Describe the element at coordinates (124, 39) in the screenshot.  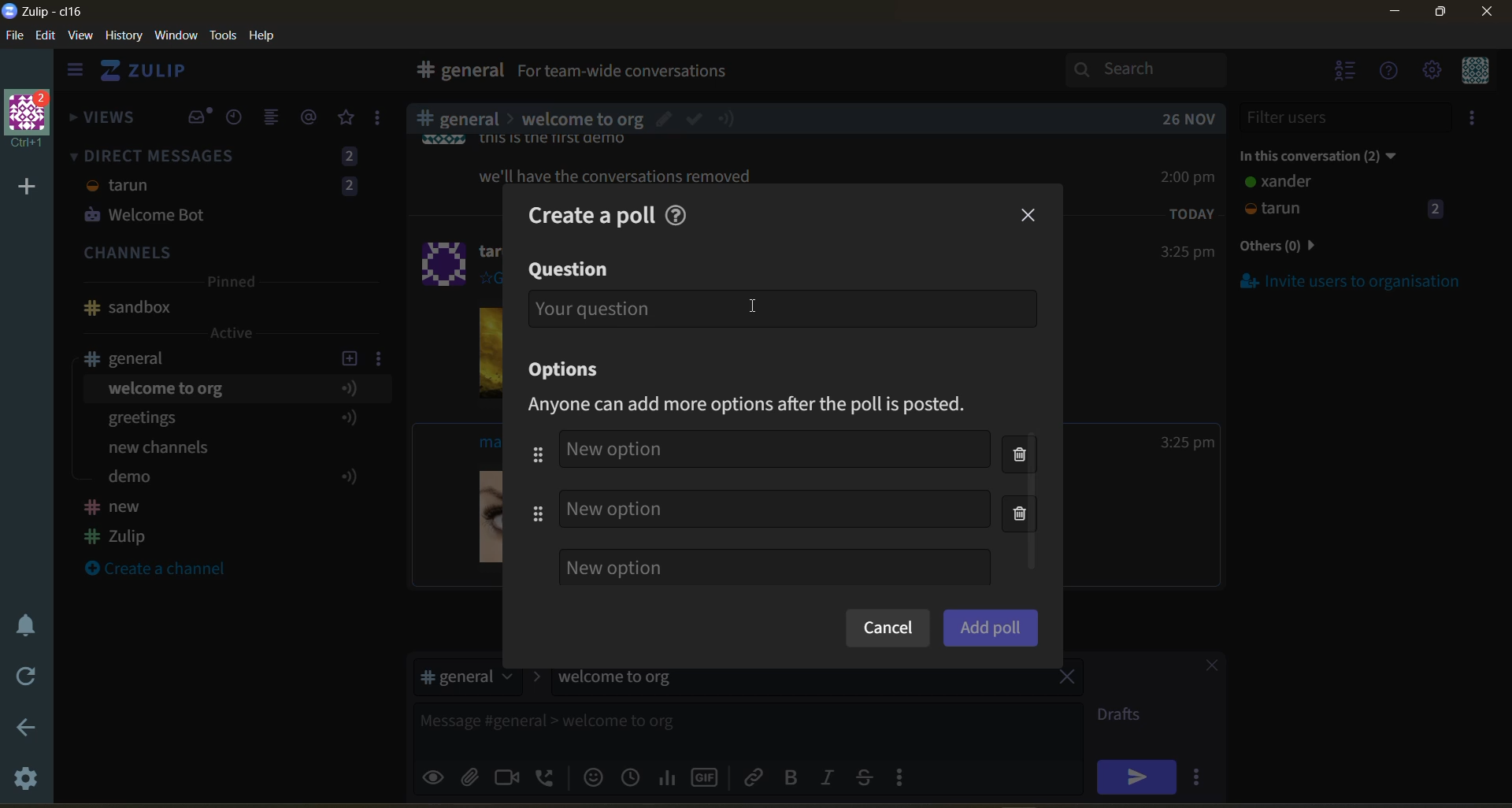
I see `history` at that location.